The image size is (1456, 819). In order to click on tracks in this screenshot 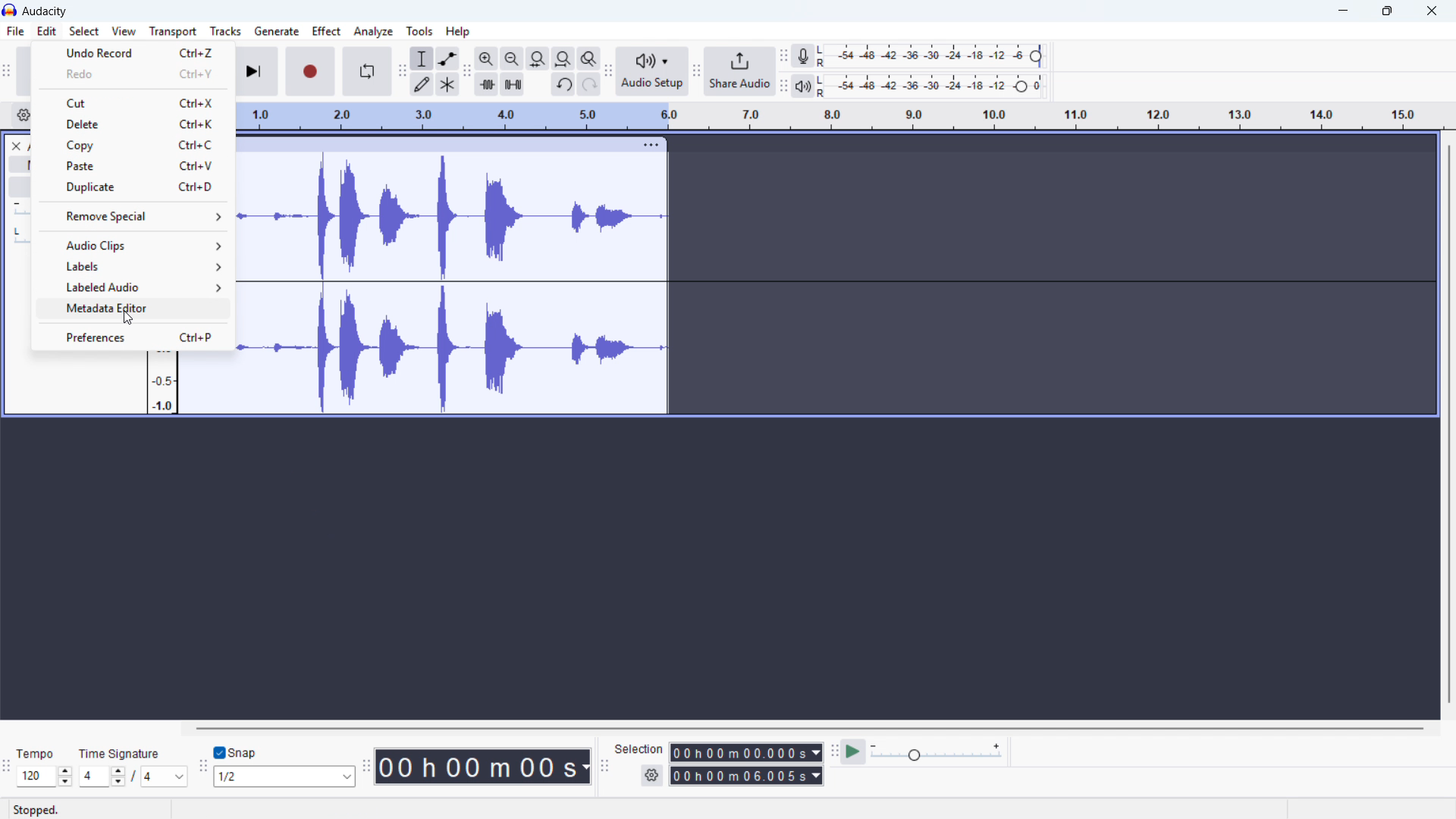, I will do `click(226, 31)`.